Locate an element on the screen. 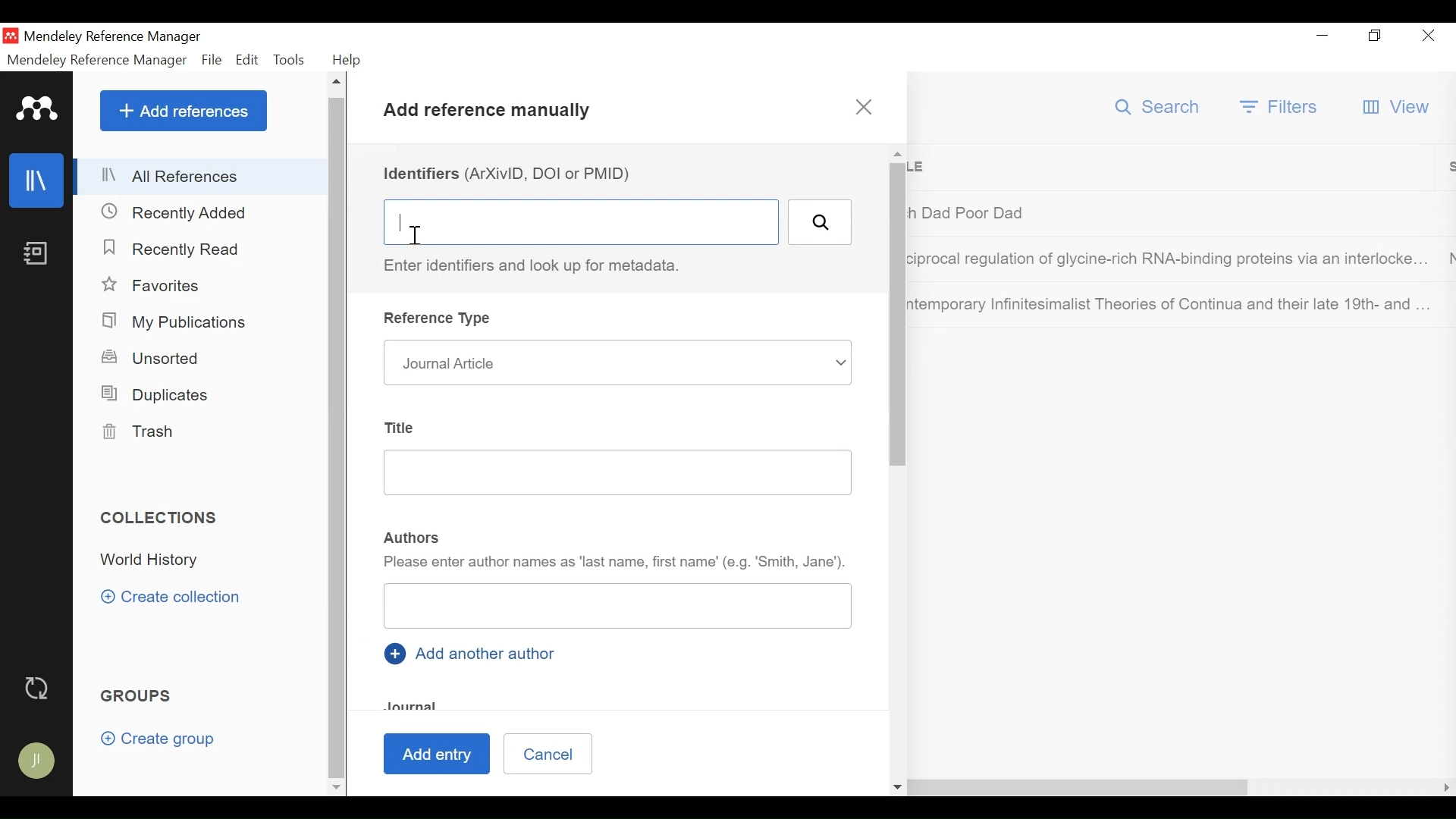 Image resolution: width=1456 pixels, height=819 pixels. Mendeley Logo is located at coordinates (37, 108).